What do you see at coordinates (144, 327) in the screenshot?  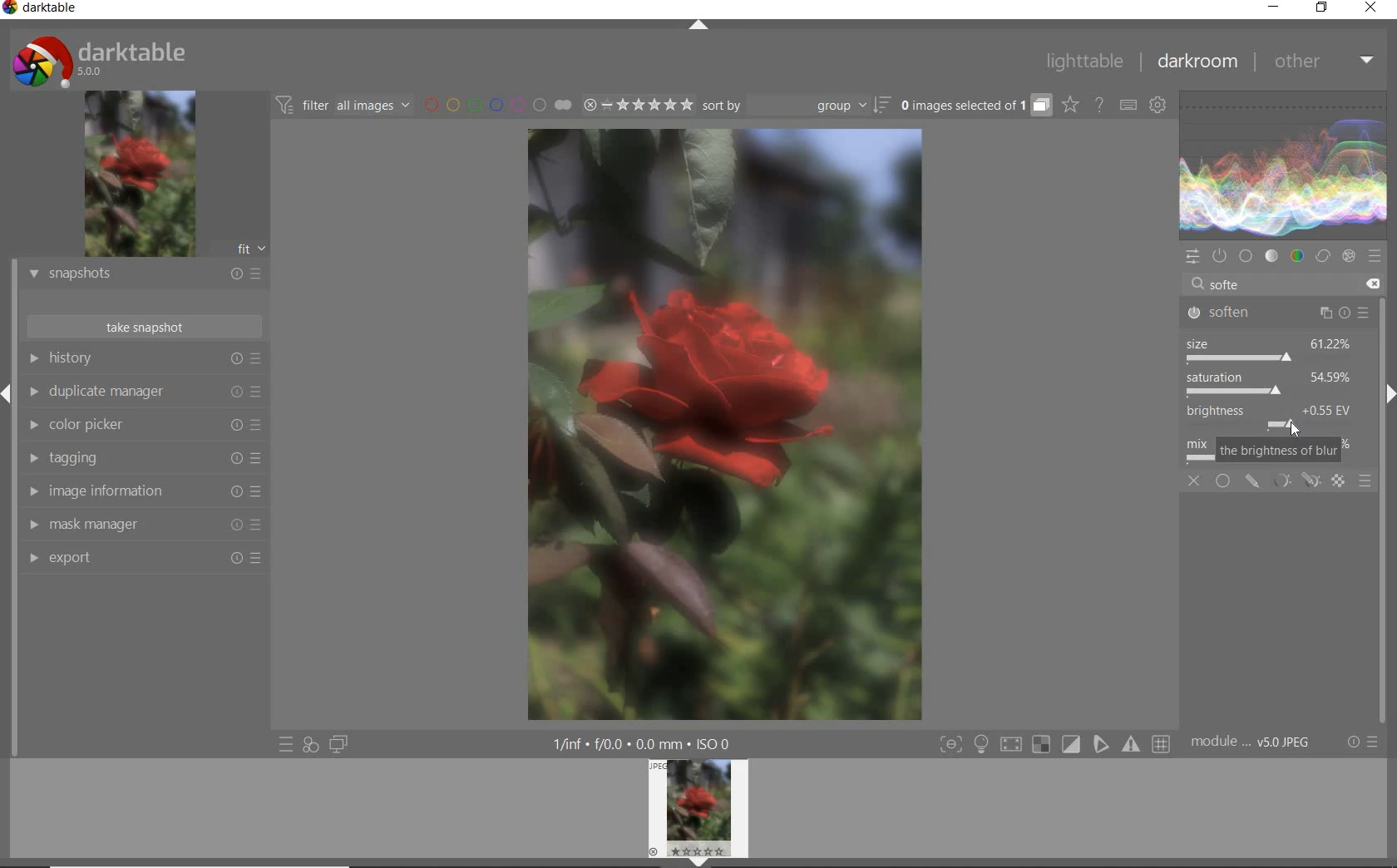 I see `take snapshot` at bounding box center [144, 327].